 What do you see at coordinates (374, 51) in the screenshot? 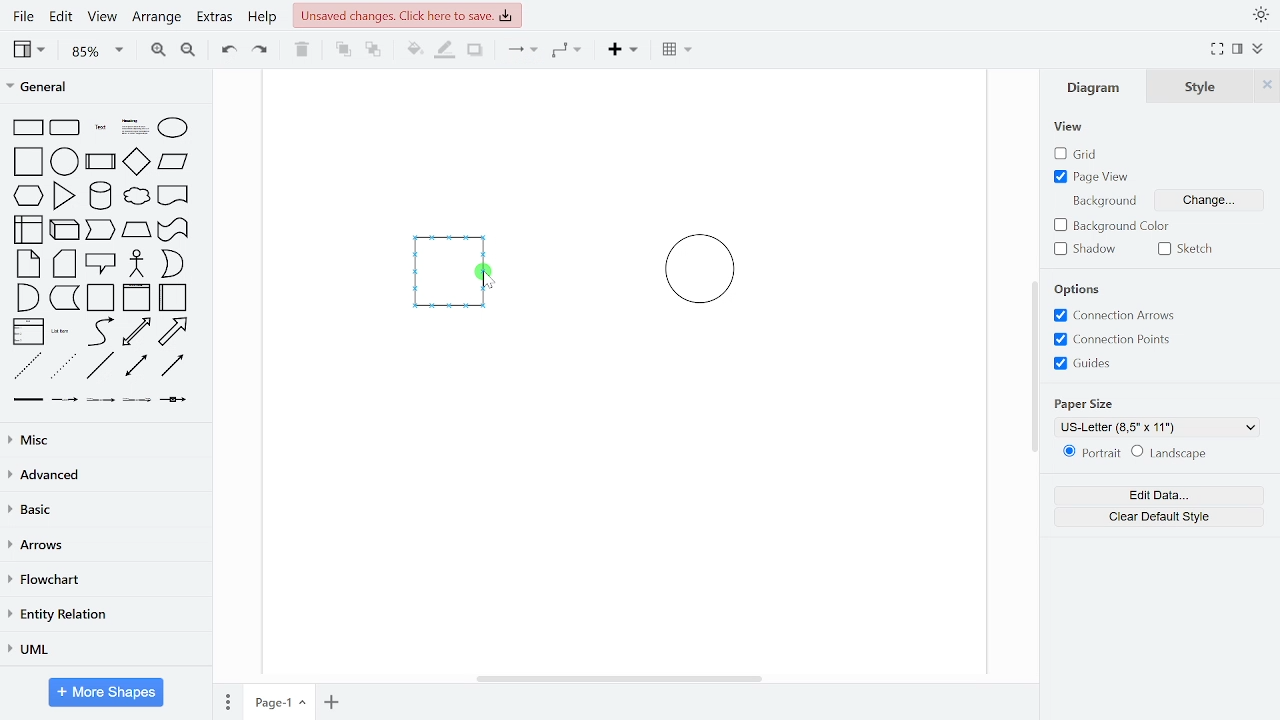
I see `to back` at bounding box center [374, 51].